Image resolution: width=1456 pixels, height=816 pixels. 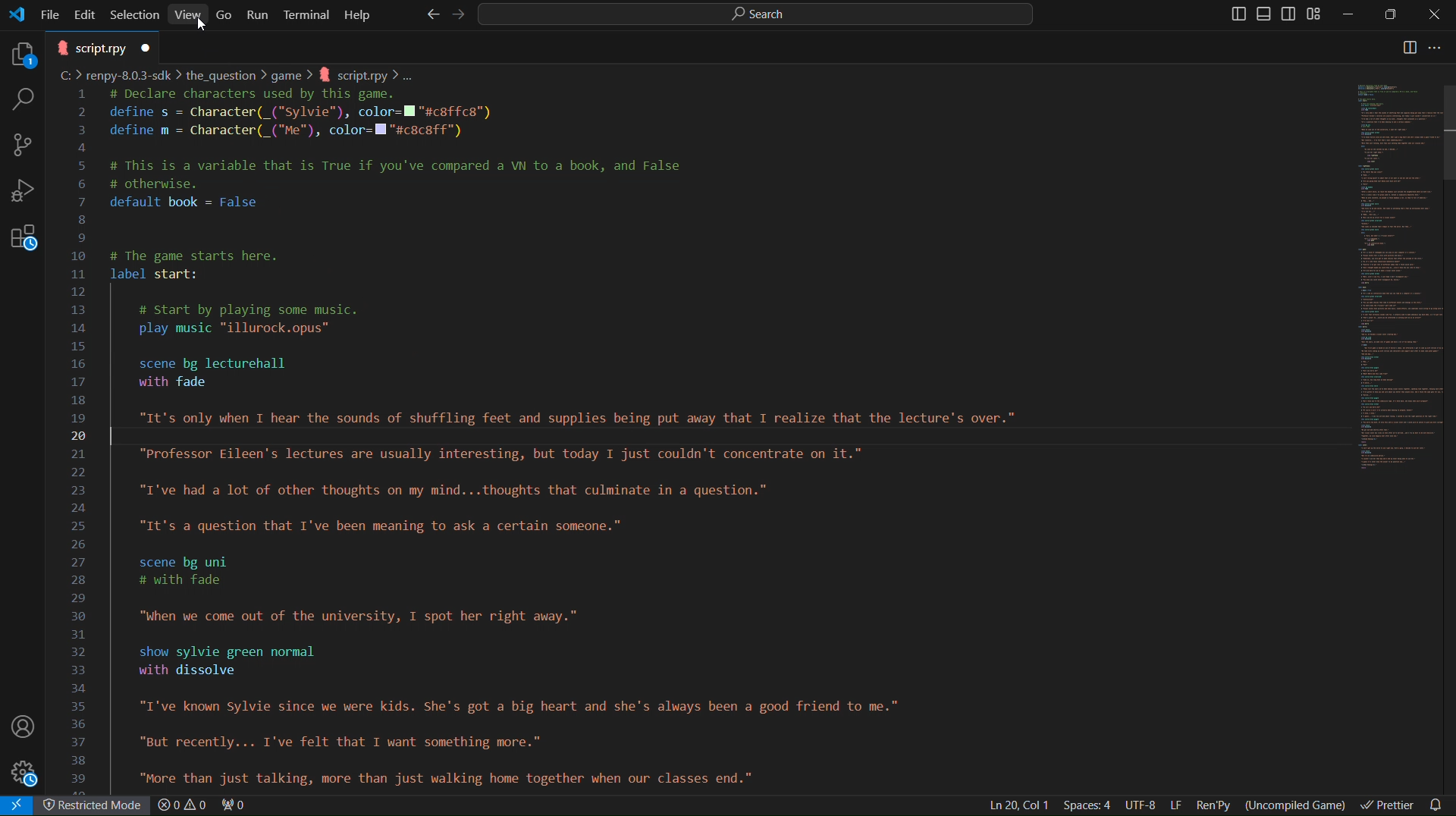 I want to click on Open a remote window, so click(x=20, y=805).